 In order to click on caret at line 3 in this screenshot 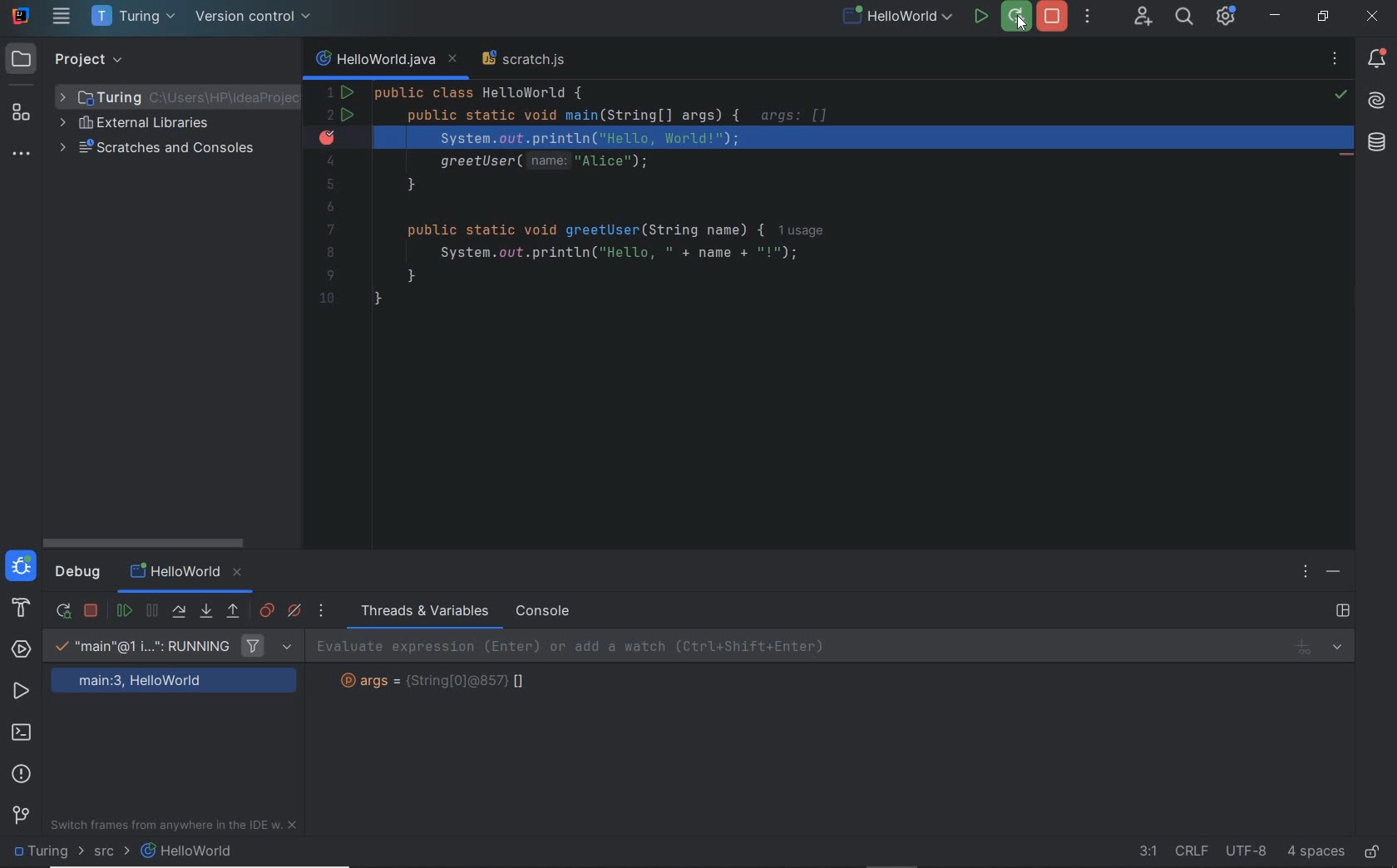, I will do `click(836, 136)`.